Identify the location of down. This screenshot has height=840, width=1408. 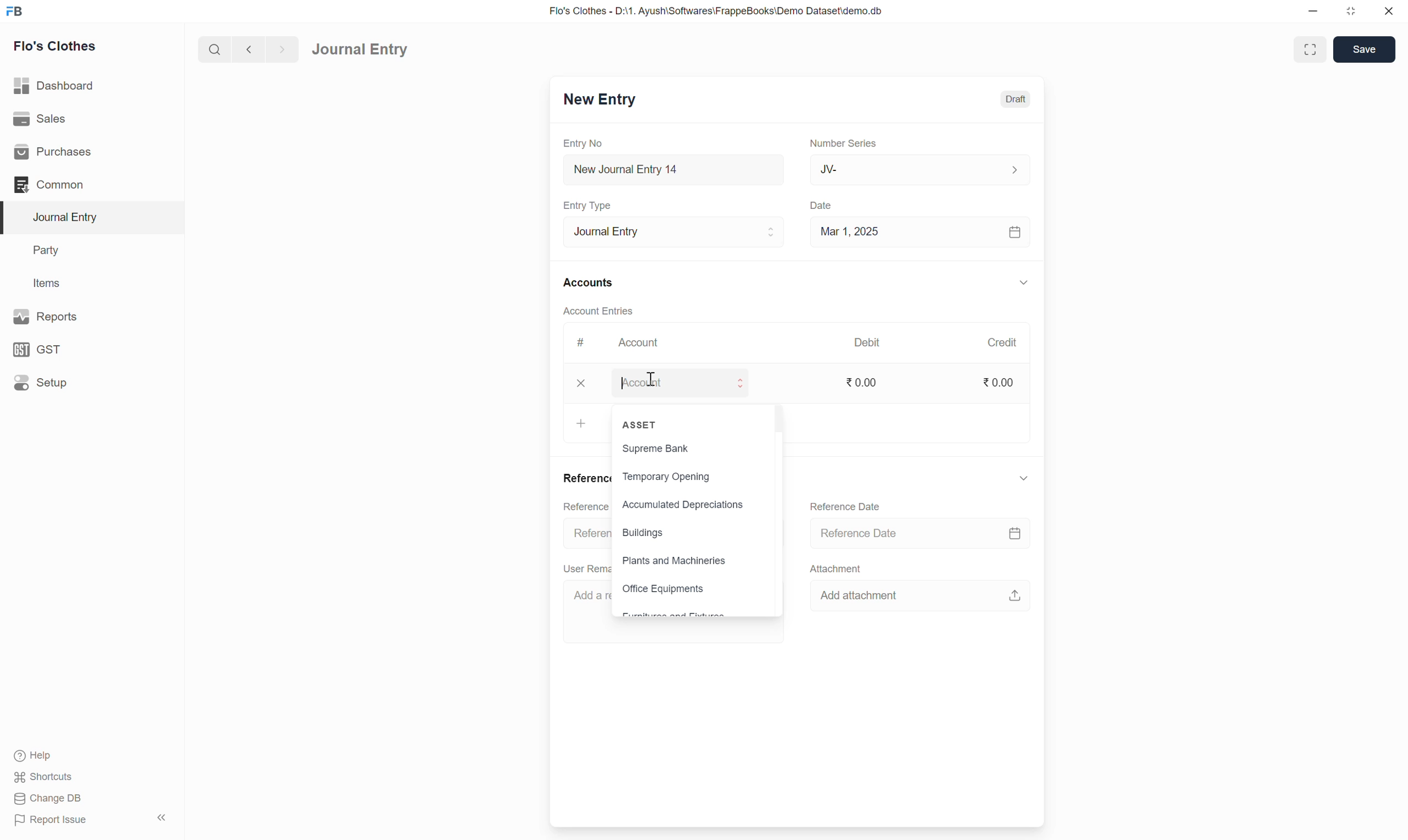
(1022, 479).